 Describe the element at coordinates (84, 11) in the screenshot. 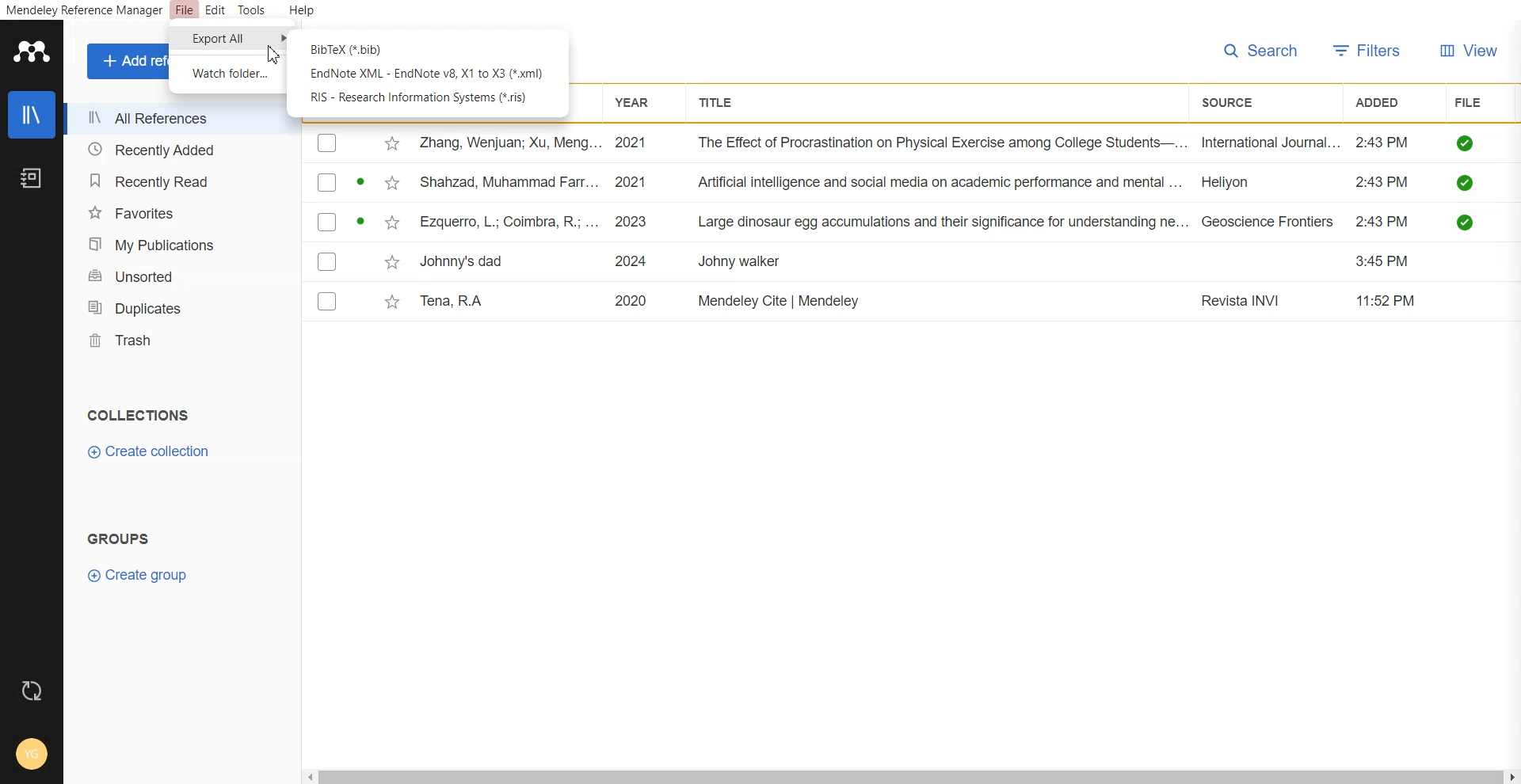

I see `Mendeley Reference Manager` at that location.